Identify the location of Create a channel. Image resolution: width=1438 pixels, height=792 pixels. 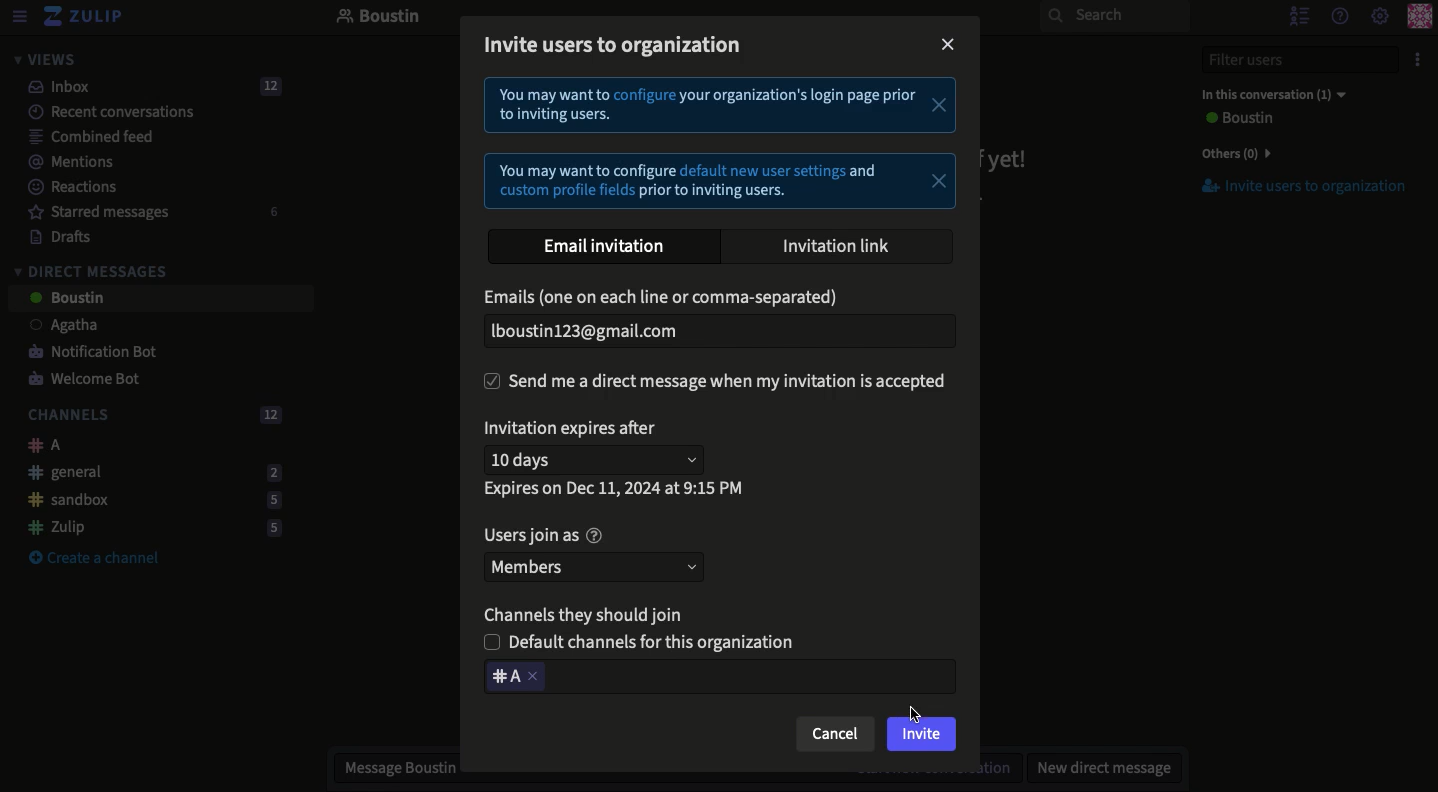
(94, 559).